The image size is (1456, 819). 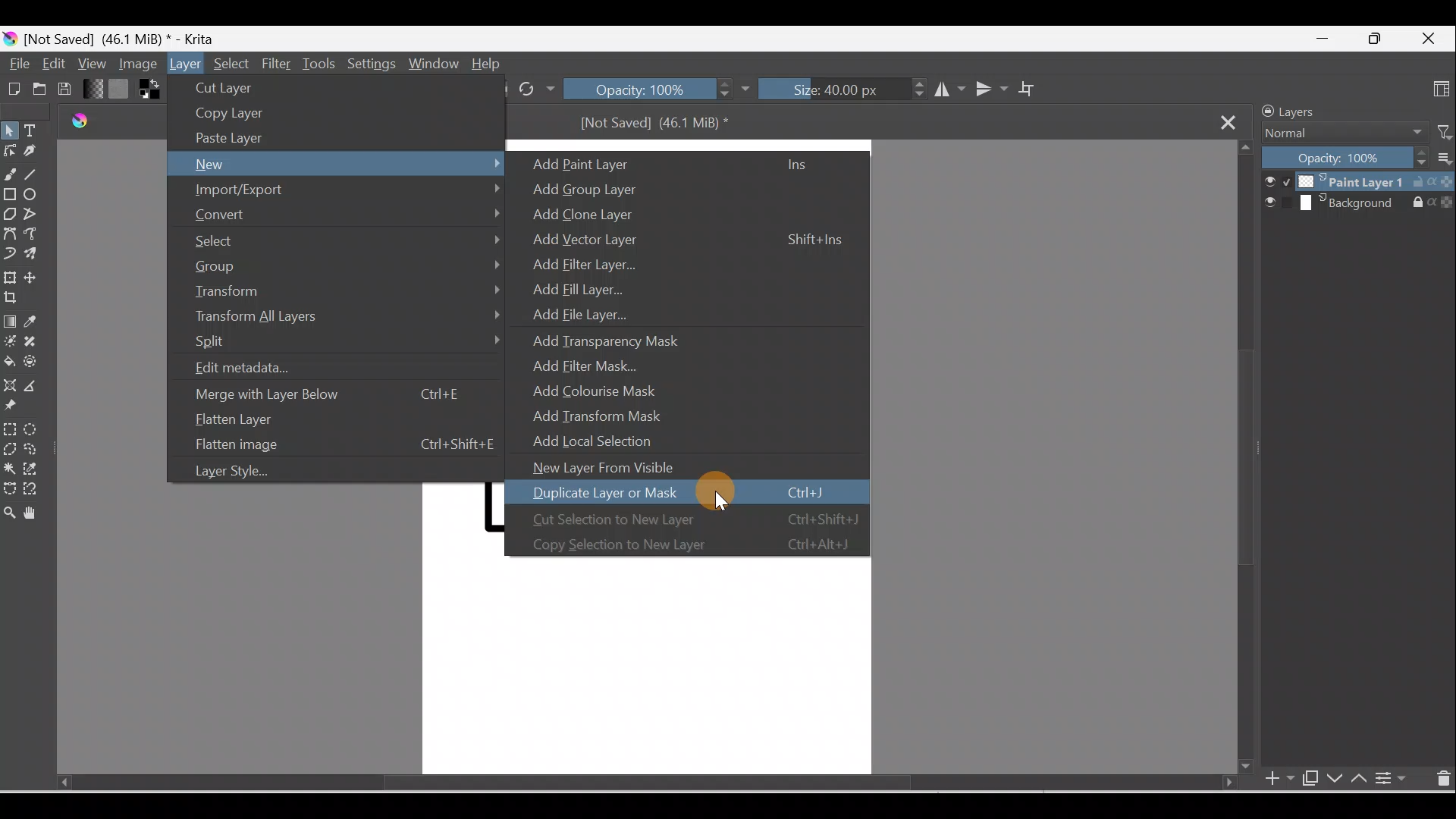 What do you see at coordinates (37, 196) in the screenshot?
I see `Ellipse tool` at bounding box center [37, 196].